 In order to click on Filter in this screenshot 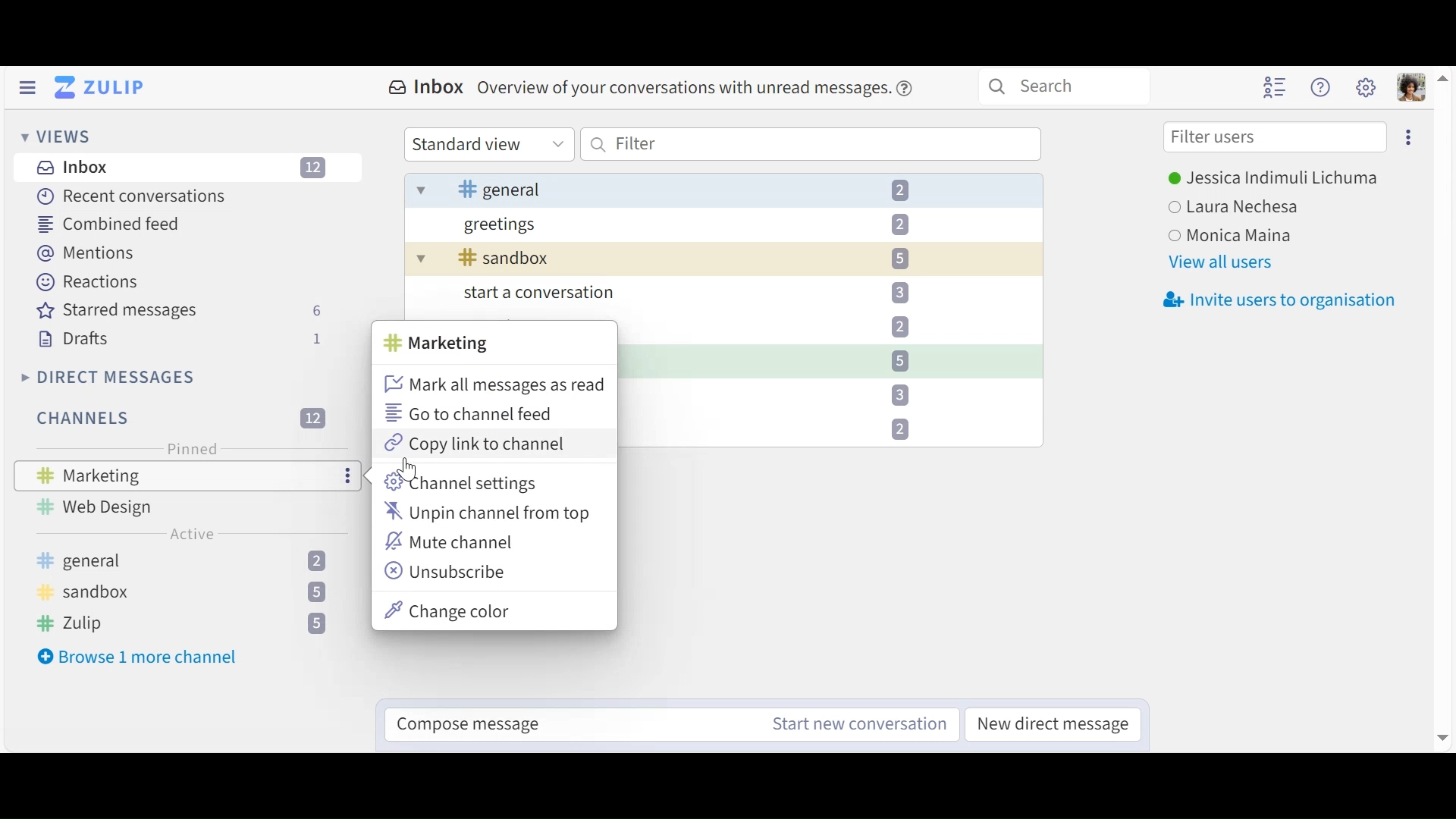, I will do `click(811, 144)`.